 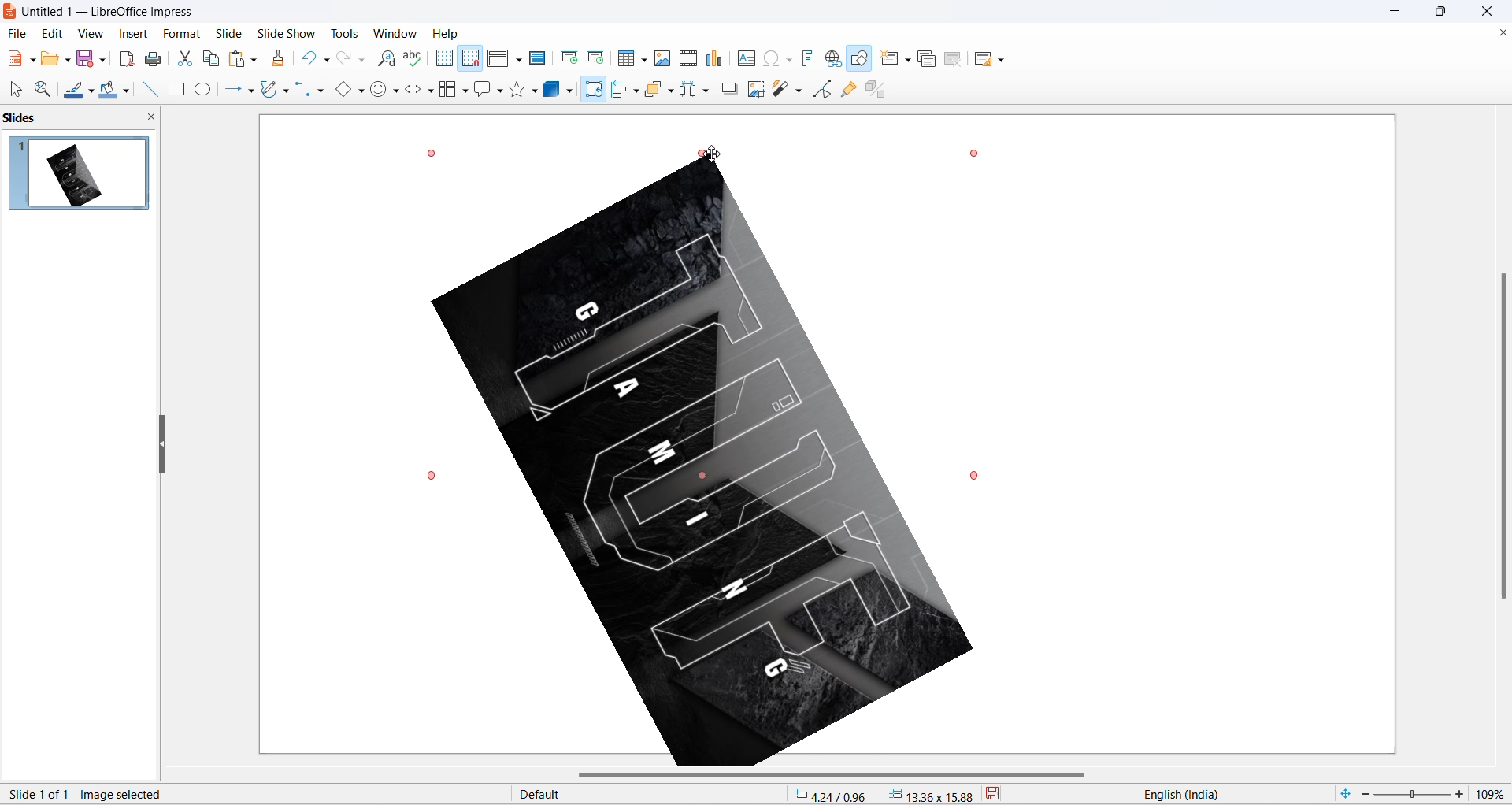 What do you see at coordinates (836, 776) in the screenshot?
I see `horizontal scroll bar` at bounding box center [836, 776].